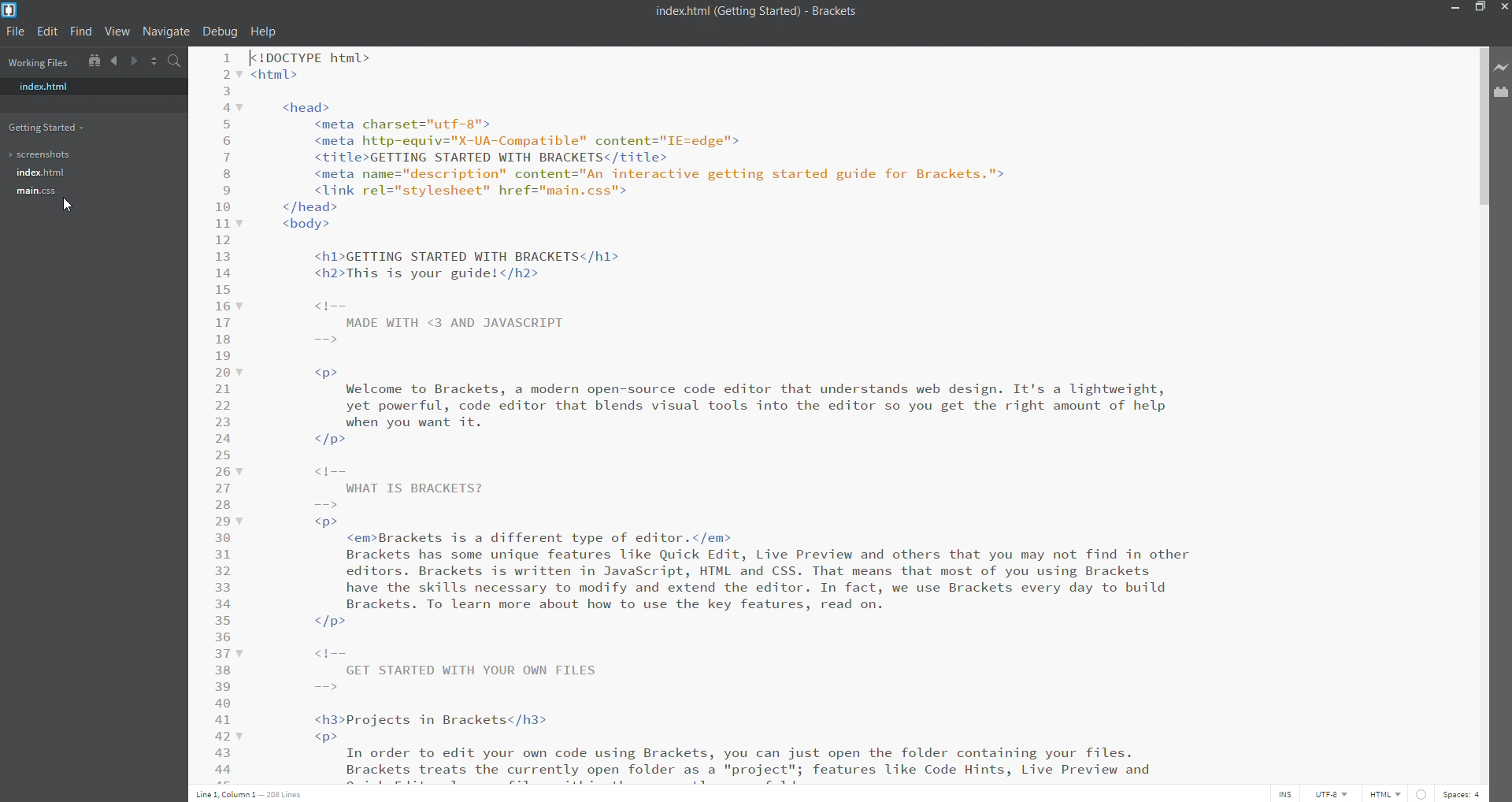  I want to click on main.css , so click(84, 192).